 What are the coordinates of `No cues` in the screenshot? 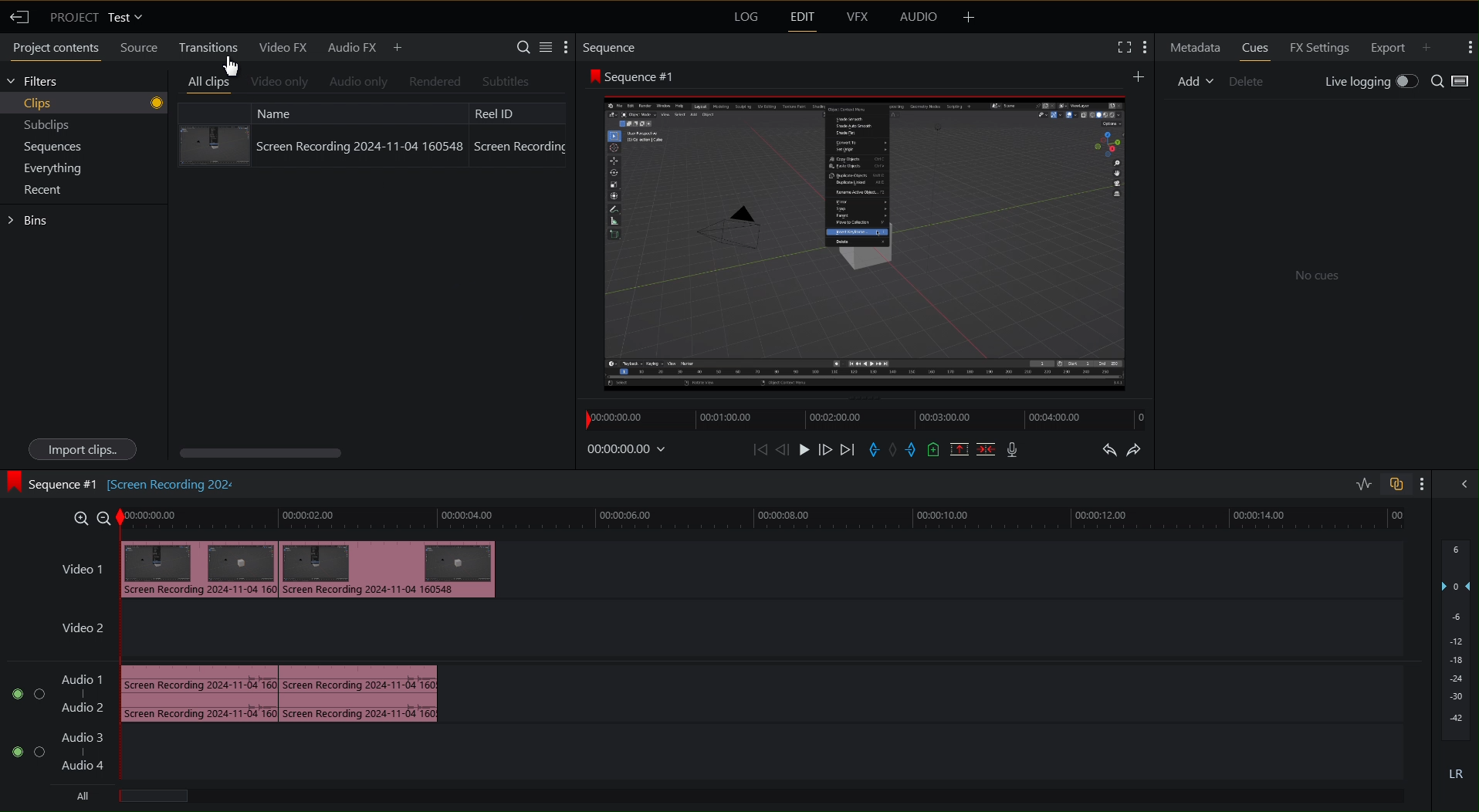 It's located at (1314, 273).